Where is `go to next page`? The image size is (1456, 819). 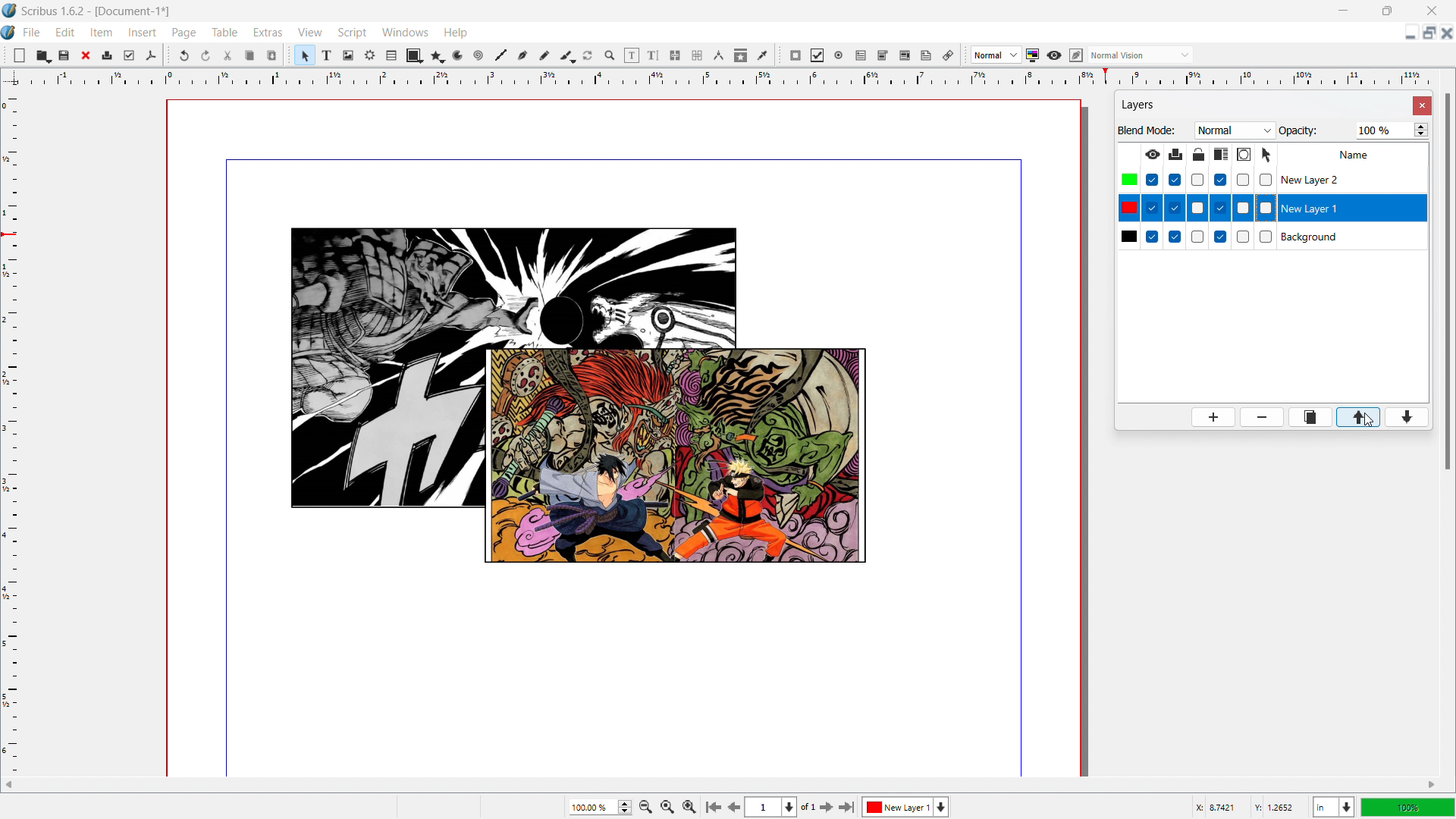
go to next page is located at coordinates (826, 807).